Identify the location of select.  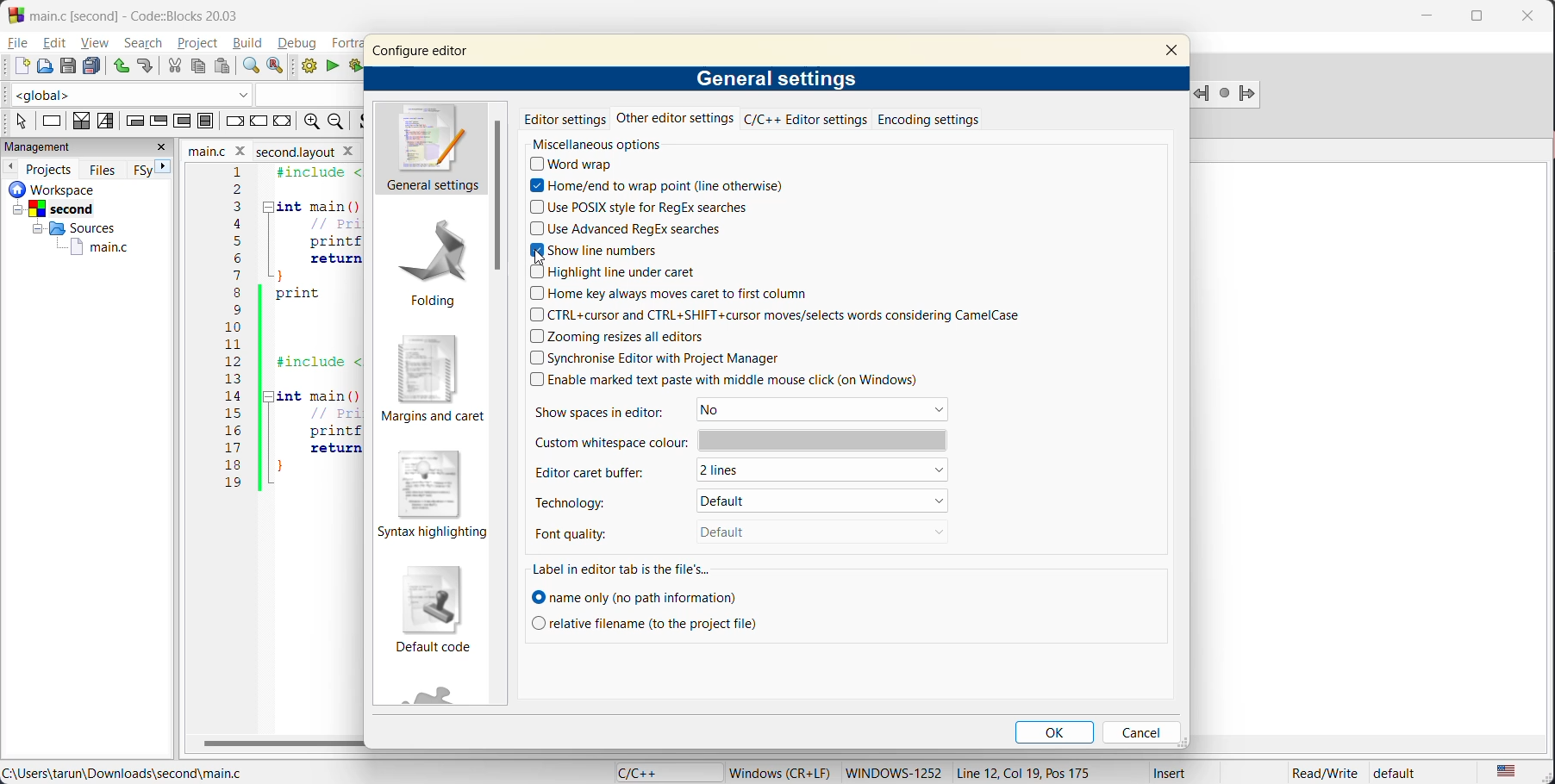
(21, 121).